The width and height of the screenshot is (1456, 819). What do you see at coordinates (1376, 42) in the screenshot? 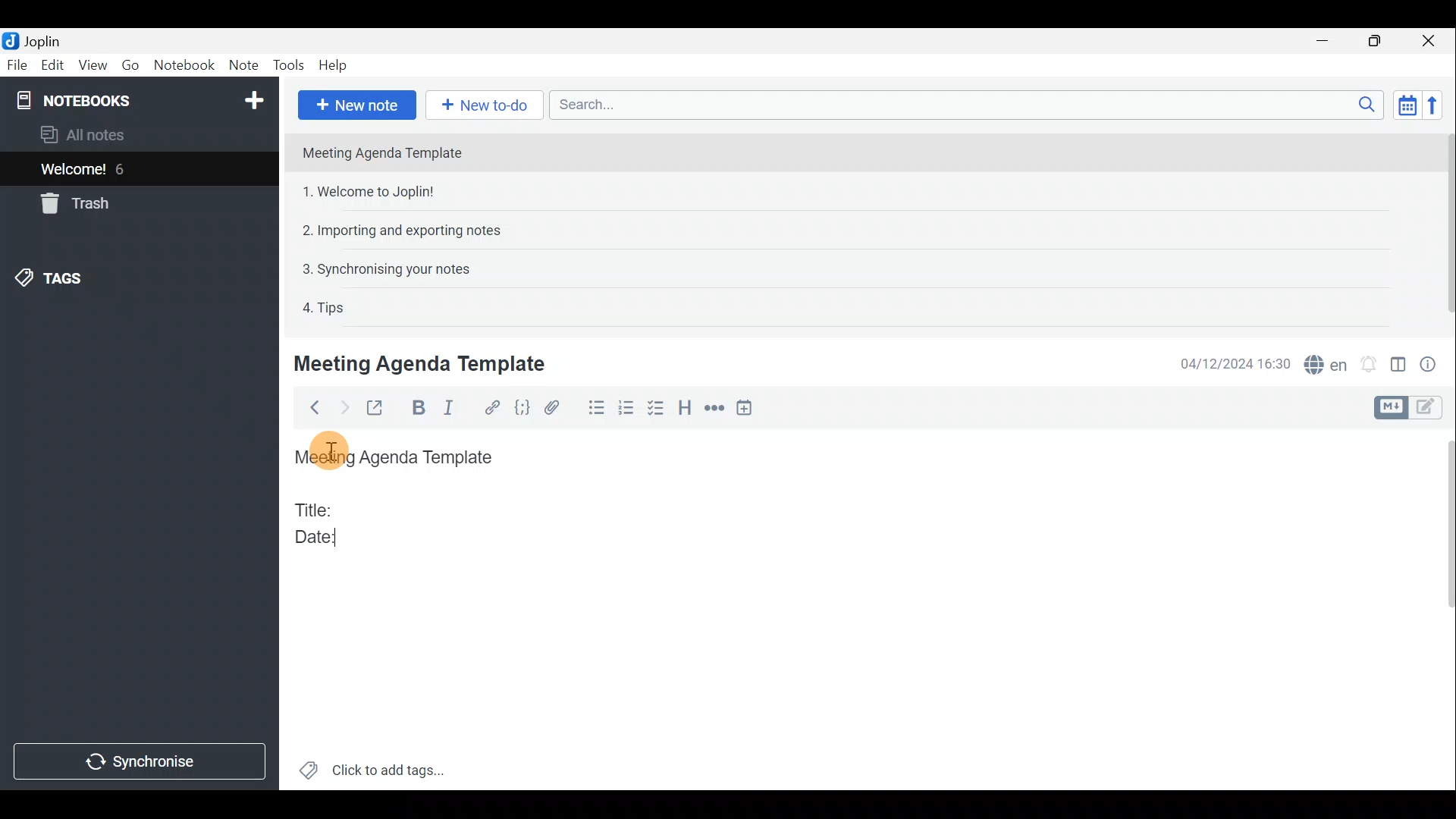
I see `Maximise` at bounding box center [1376, 42].